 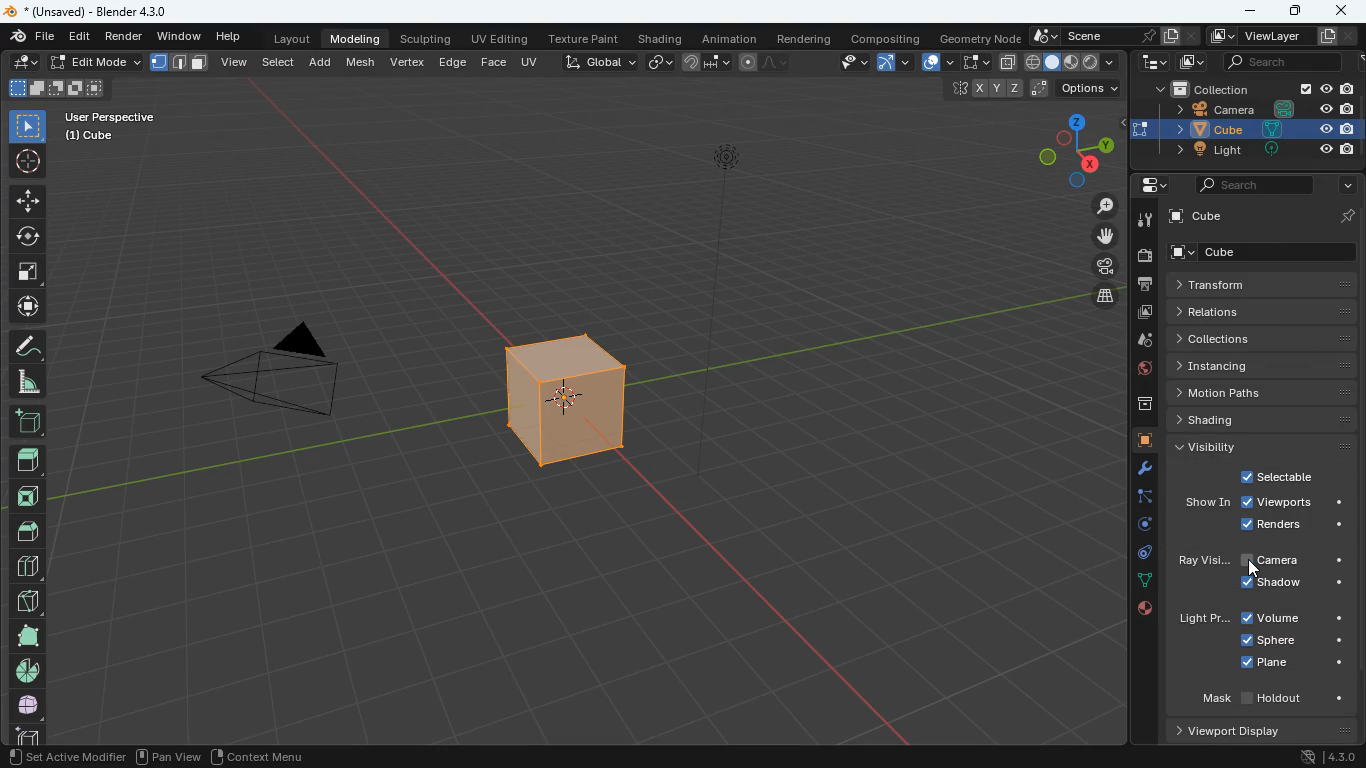 What do you see at coordinates (733, 38) in the screenshot?
I see `animation` at bounding box center [733, 38].